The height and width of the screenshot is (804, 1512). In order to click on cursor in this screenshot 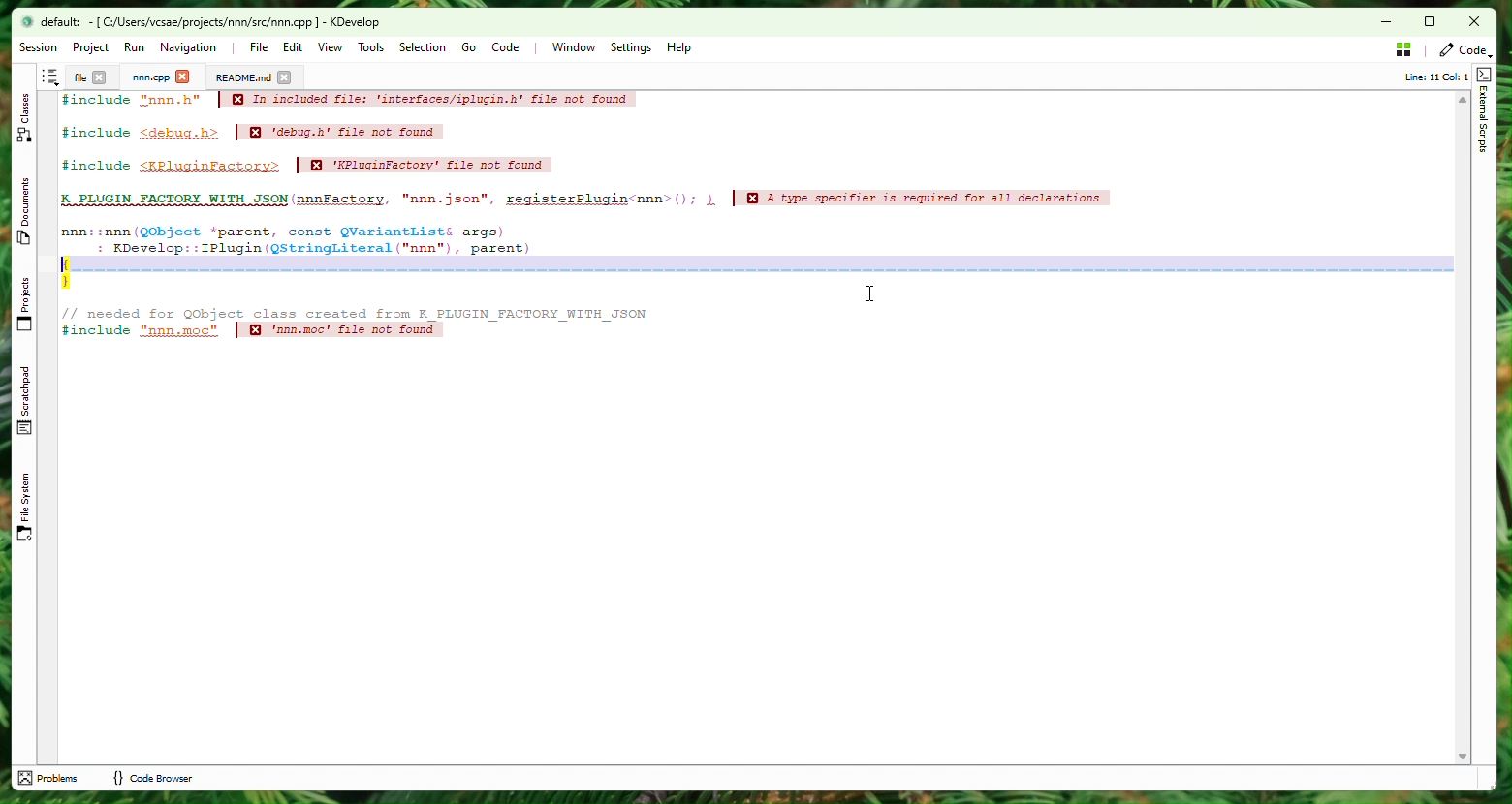, I will do `click(870, 294)`.